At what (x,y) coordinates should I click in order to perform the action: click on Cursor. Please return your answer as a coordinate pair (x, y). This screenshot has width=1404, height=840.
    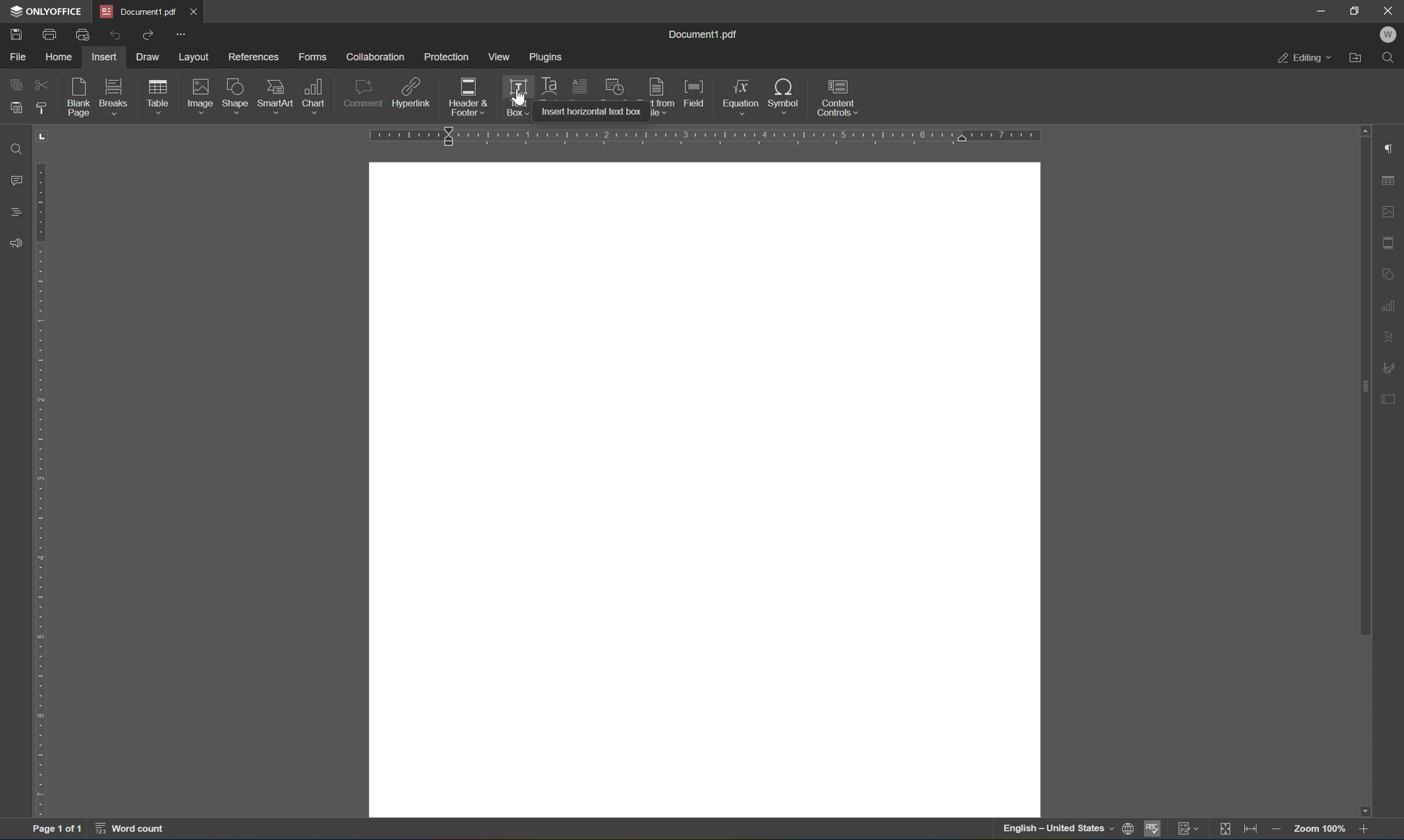
    Looking at the image, I should click on (516, 100).